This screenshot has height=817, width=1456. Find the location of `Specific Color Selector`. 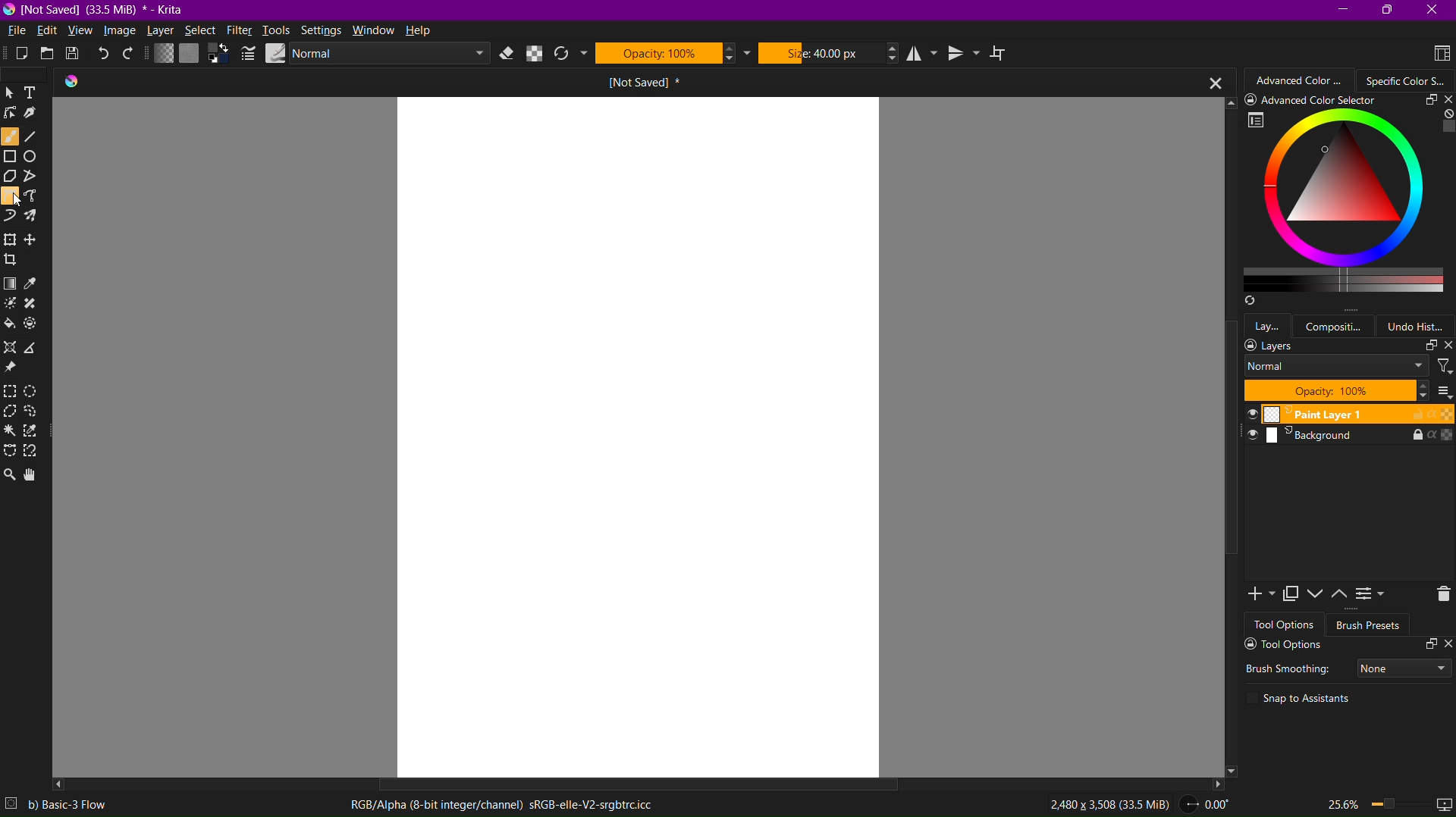

Specific Color Selector is located at coordinates (1346, 202).